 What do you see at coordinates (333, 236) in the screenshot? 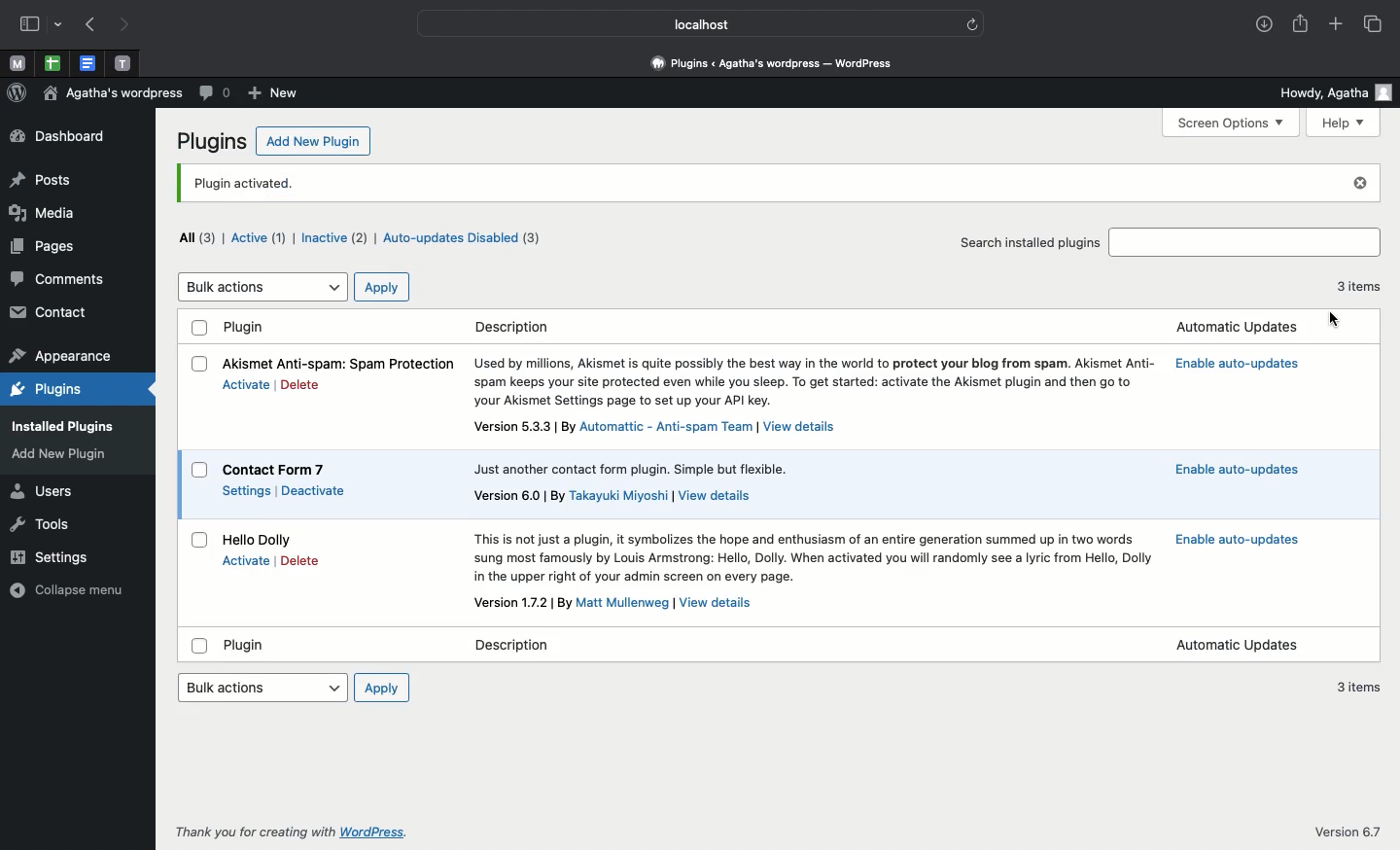
I see `Inactive` at bounding box center [333, 236].